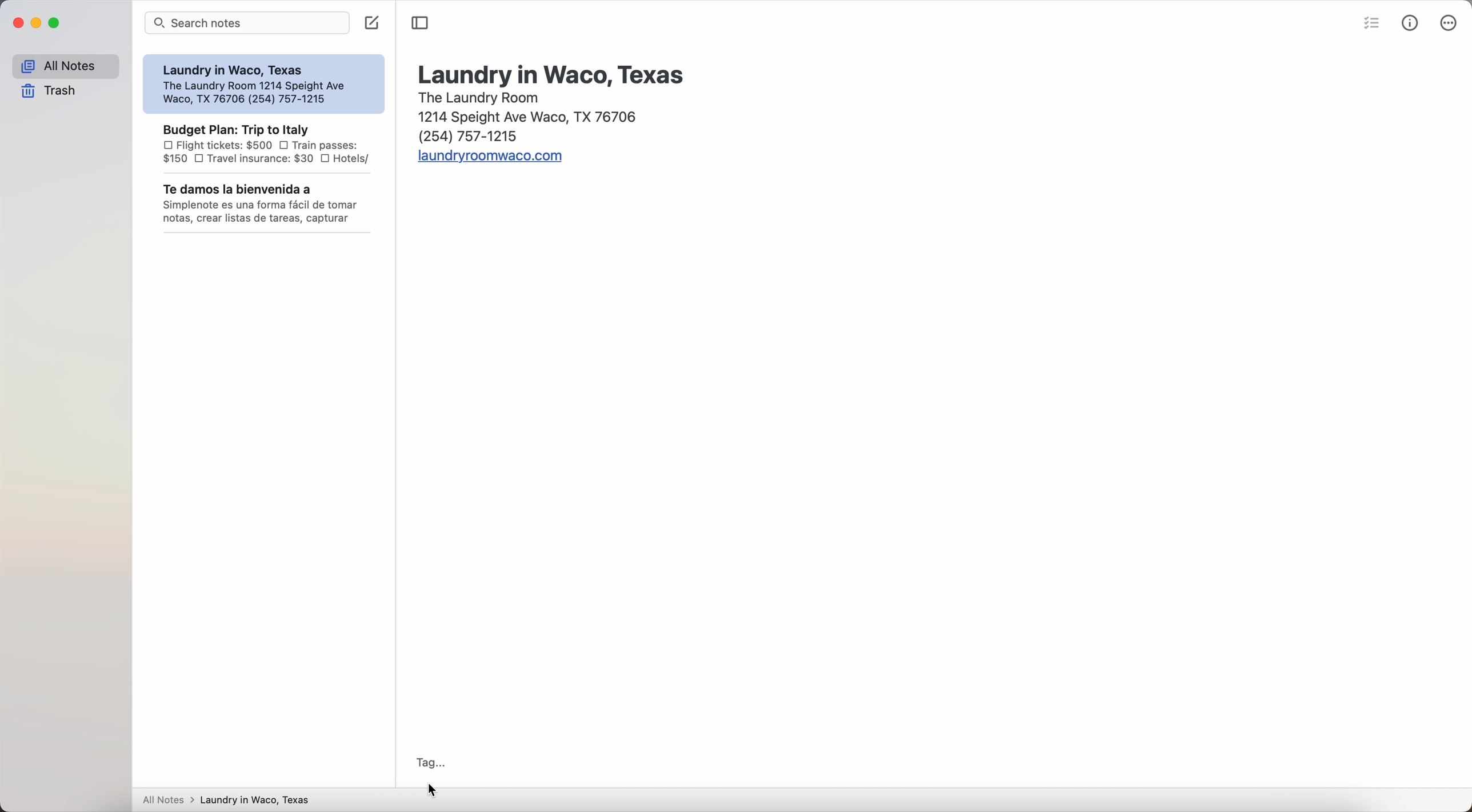 The width and height of the screenshot is (1472, 812). Describe the element at coordinates (232, 798) in the screenshot. I see `all notes > laundry in Waco, Texas` at that location.